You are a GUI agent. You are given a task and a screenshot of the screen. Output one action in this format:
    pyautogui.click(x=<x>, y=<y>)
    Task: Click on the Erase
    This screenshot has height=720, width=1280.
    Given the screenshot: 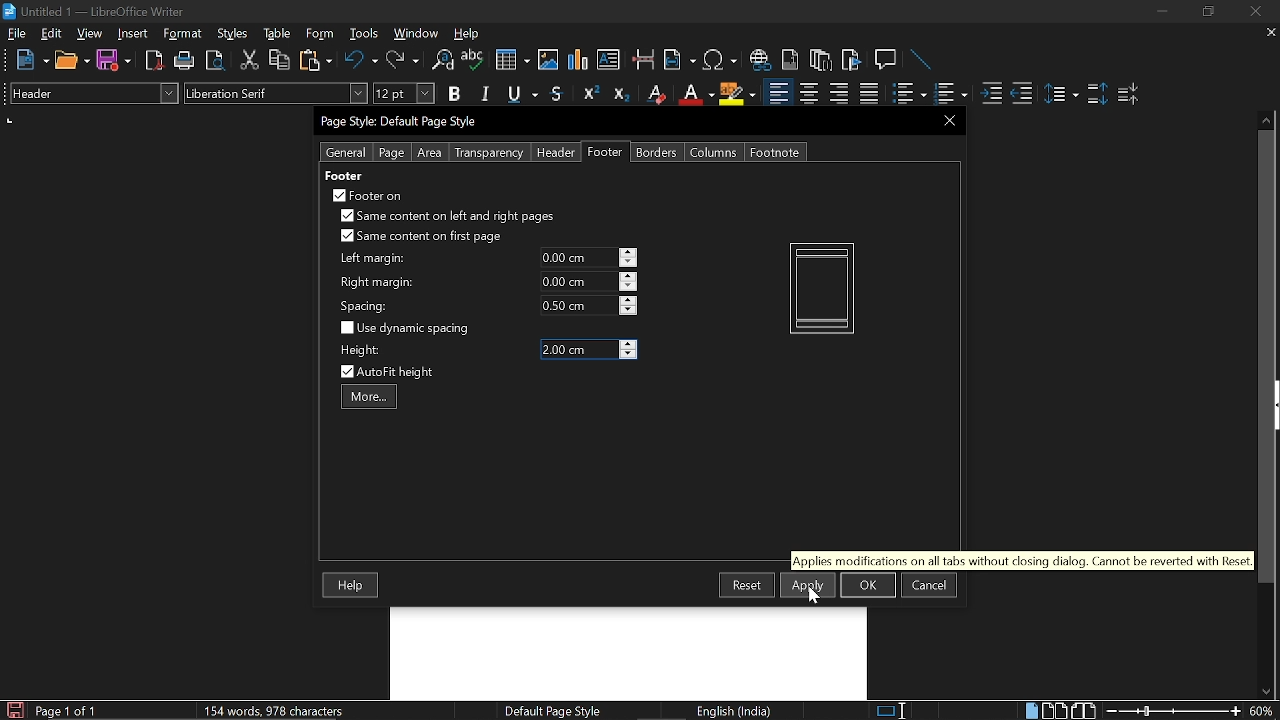 What is the action you would take?
    pyautogui.click(x=655, y=94)
    